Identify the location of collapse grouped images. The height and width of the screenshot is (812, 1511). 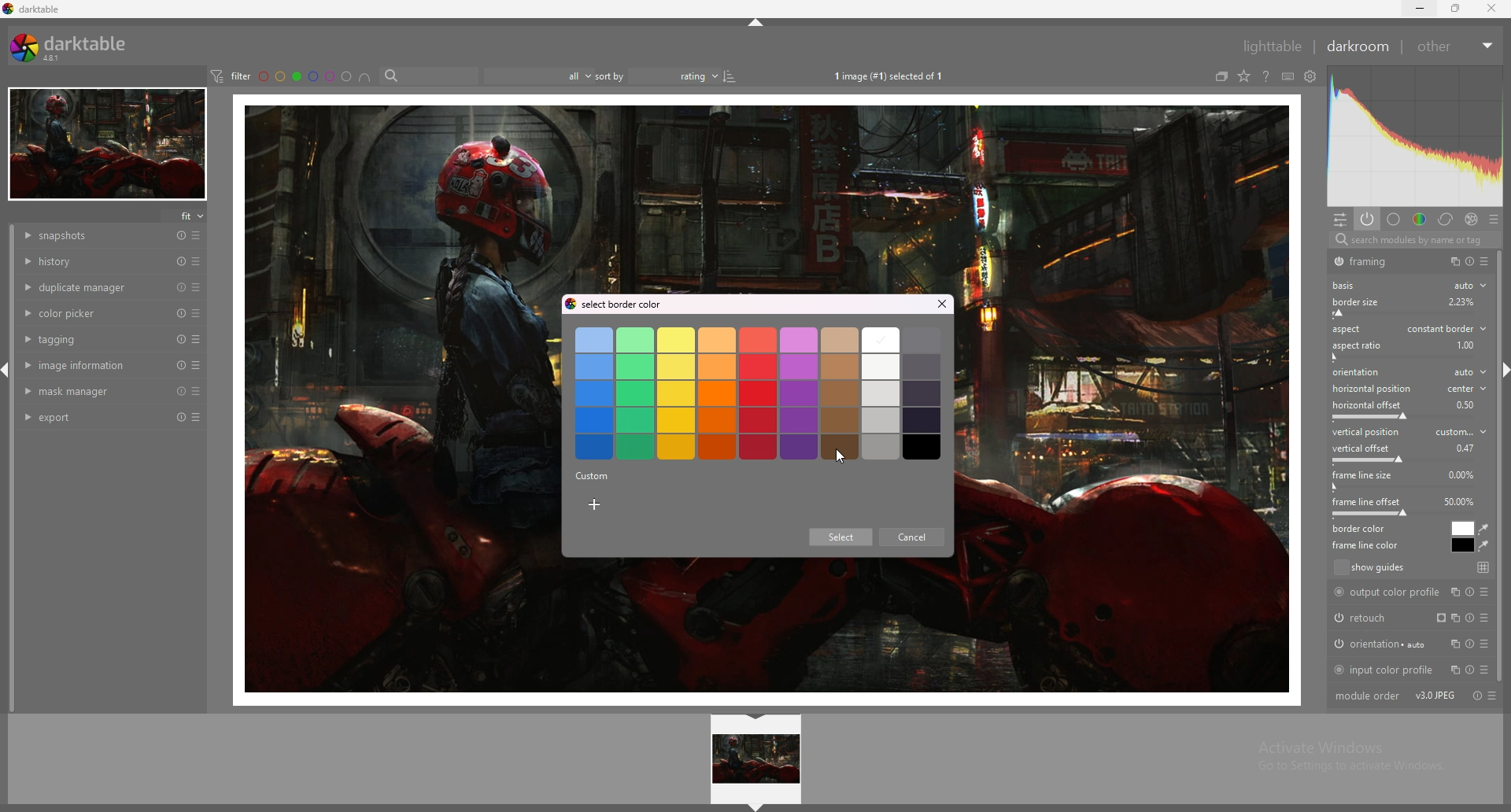
(1221, 77).